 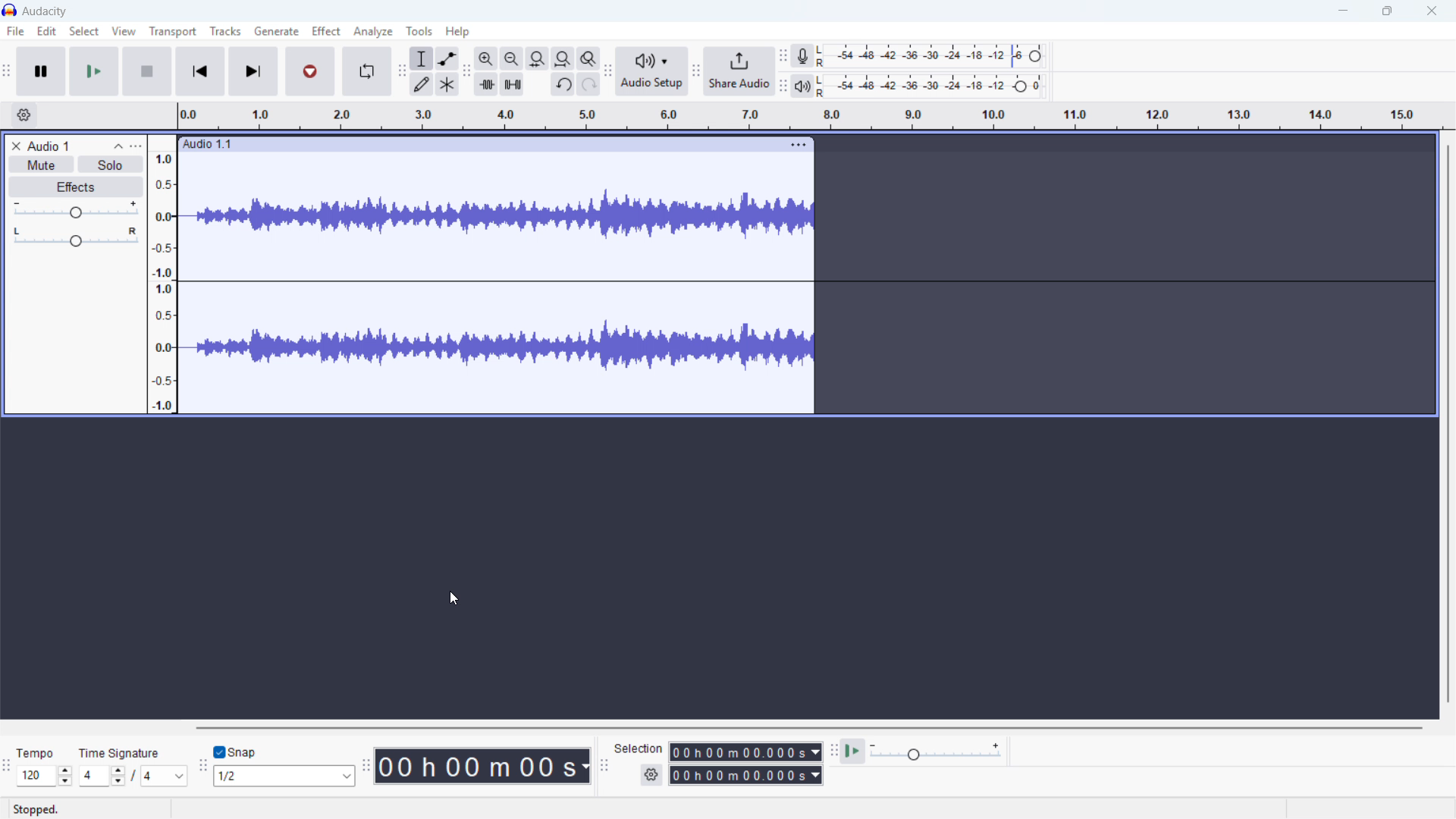 I want to click on Selection start time , so click(x=745, y=752).